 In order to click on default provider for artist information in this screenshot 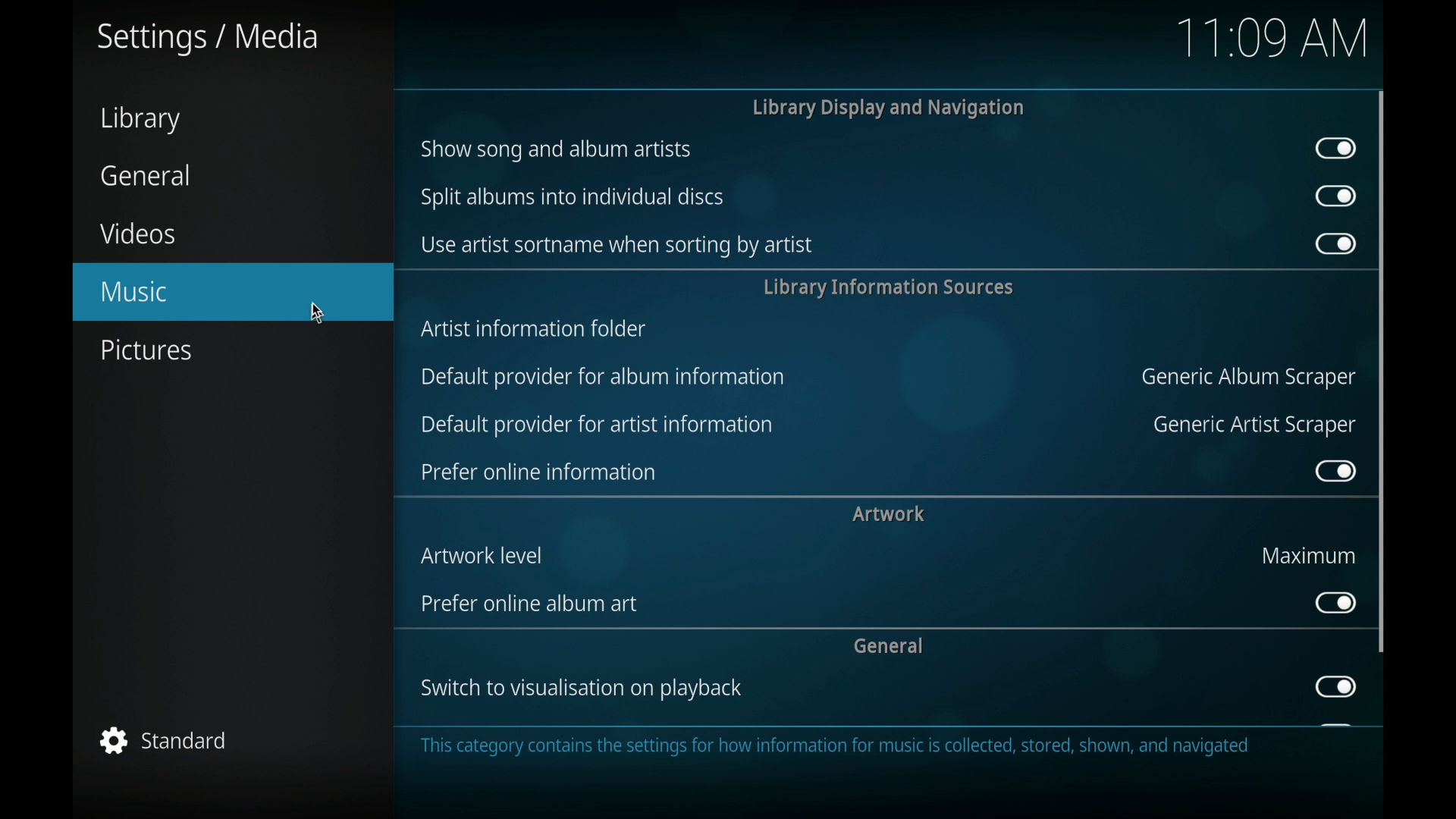, I will do `click(596, 425)`.